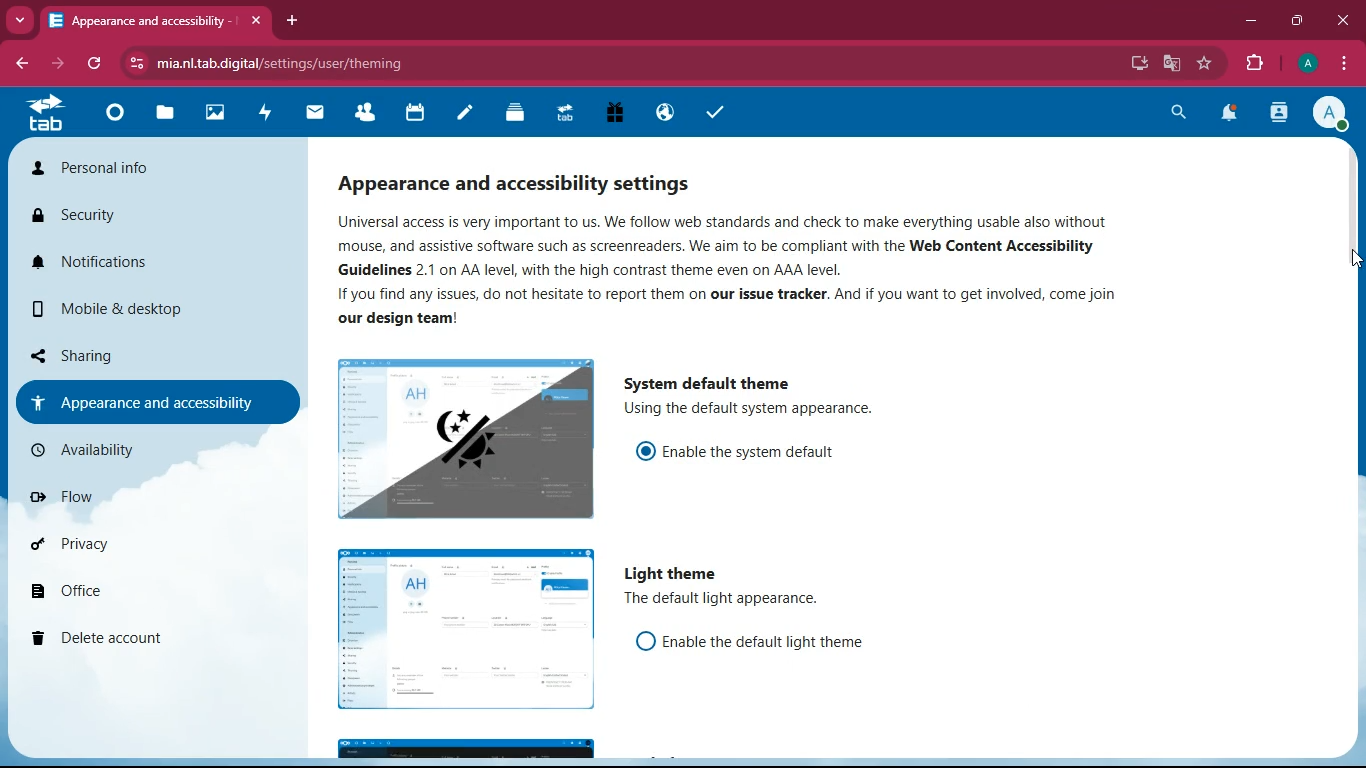 This screenshot has width=1366, height=768. What do you see at coordinates (467, 440) in the screenshot?
I see `image` at bounding box center [467, 440].